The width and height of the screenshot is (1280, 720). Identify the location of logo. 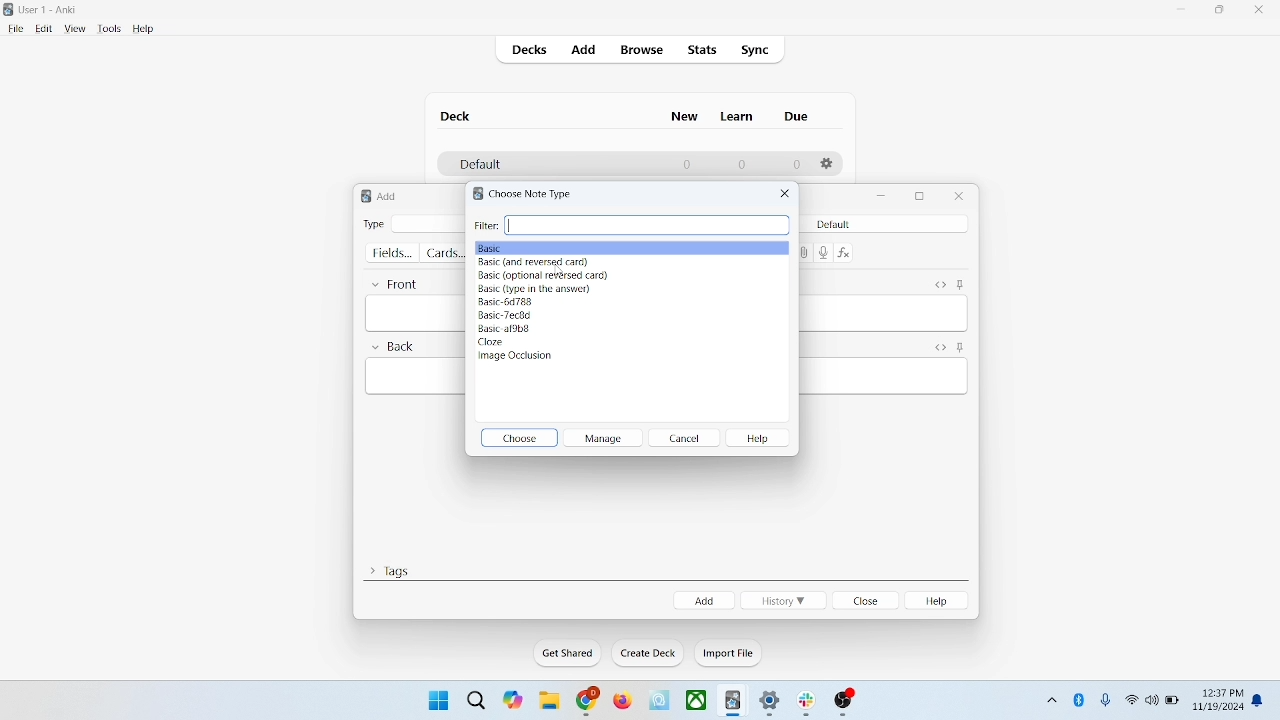
(363, 198).